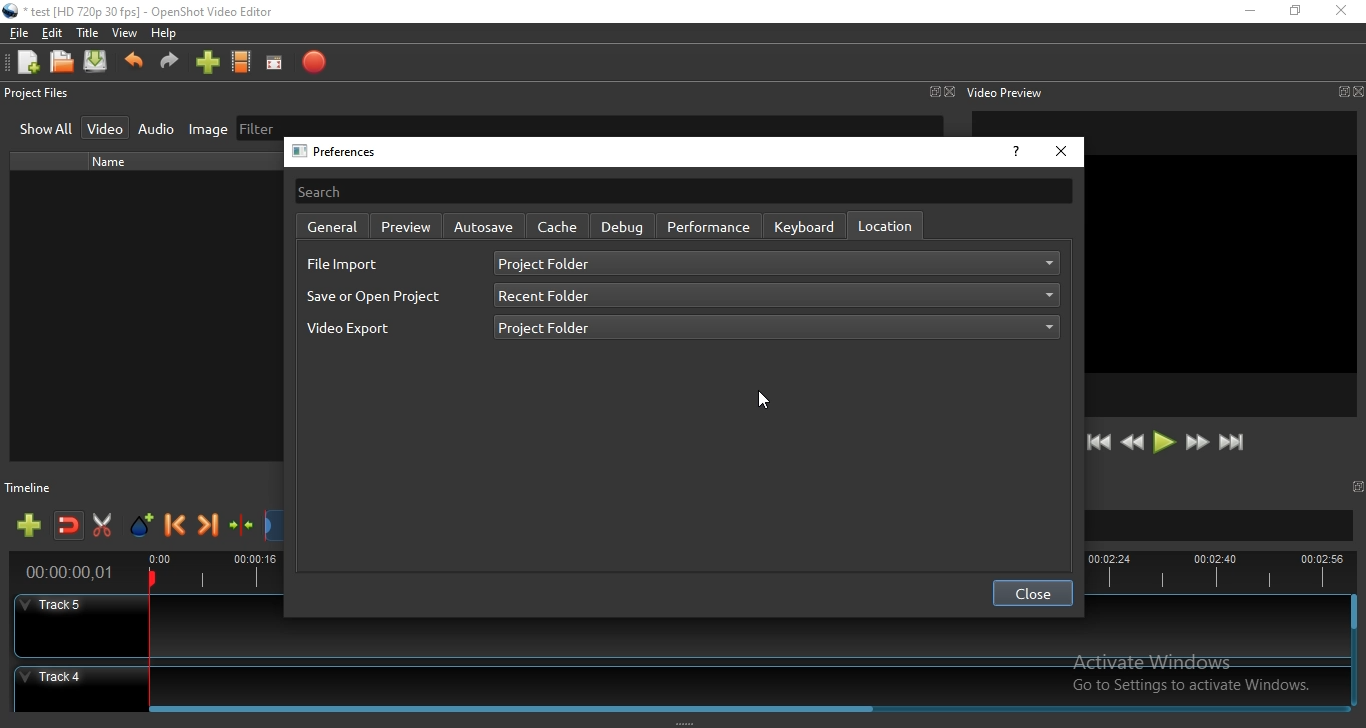  Describe the element at coordinates (143, 526) in the screenshot. I see `Add marker` at that location.